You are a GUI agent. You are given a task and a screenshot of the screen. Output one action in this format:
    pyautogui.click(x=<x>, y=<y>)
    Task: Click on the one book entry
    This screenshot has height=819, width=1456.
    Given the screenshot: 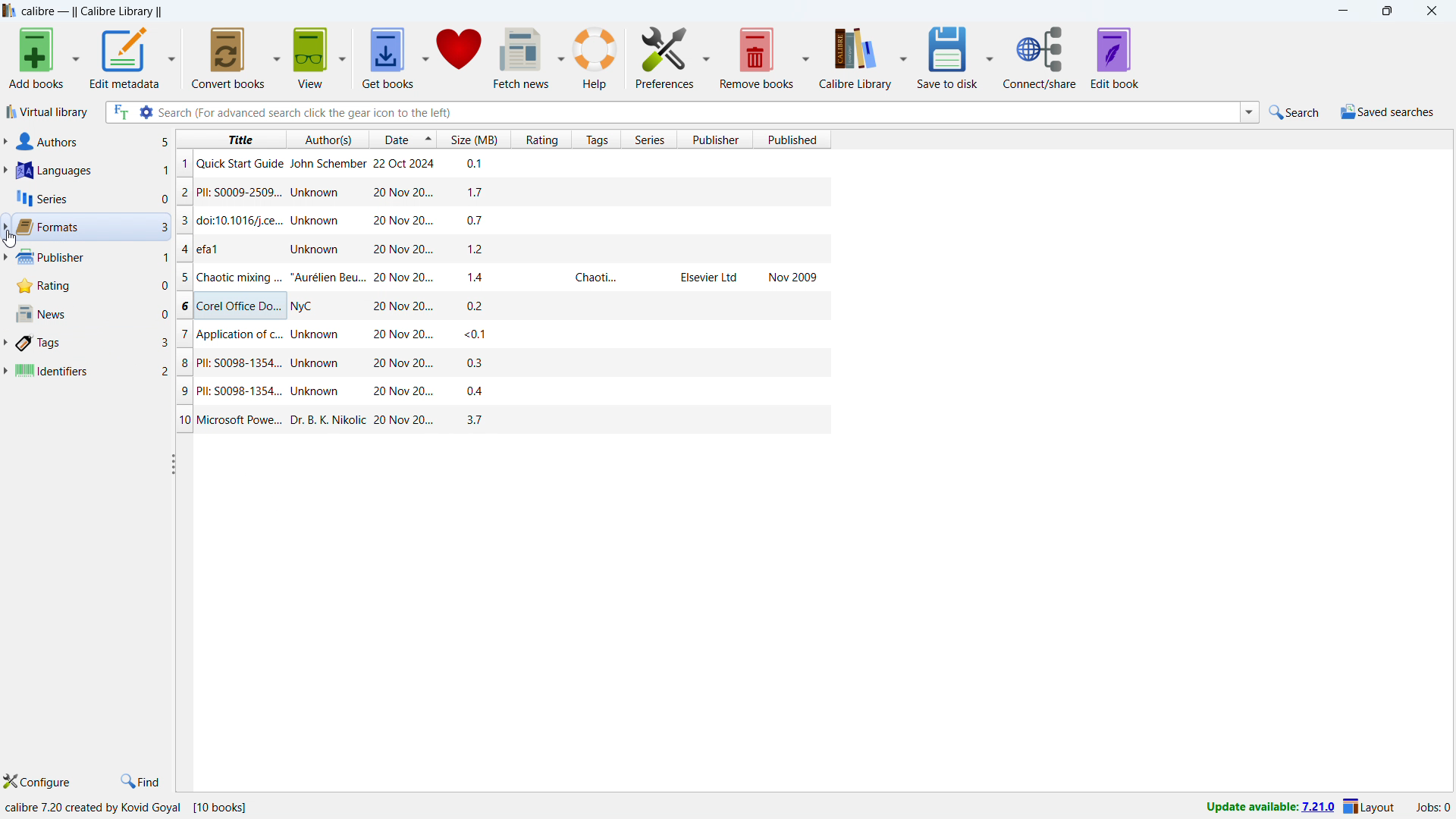 What is the action you would take?
    pyautogui.click(x=504, y=392)
    